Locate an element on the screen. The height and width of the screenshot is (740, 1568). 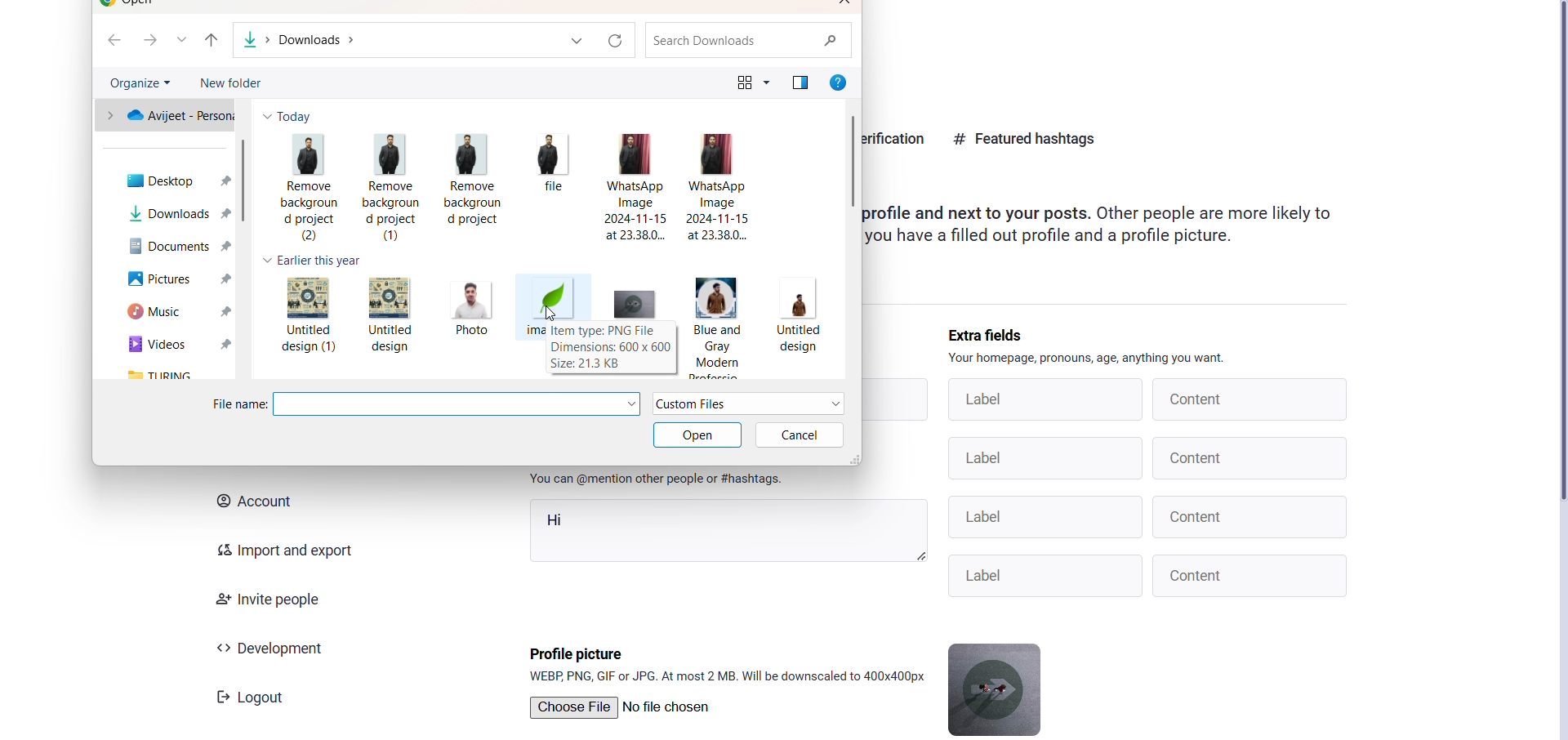
Untitled design is located at coordinates (392, 313).